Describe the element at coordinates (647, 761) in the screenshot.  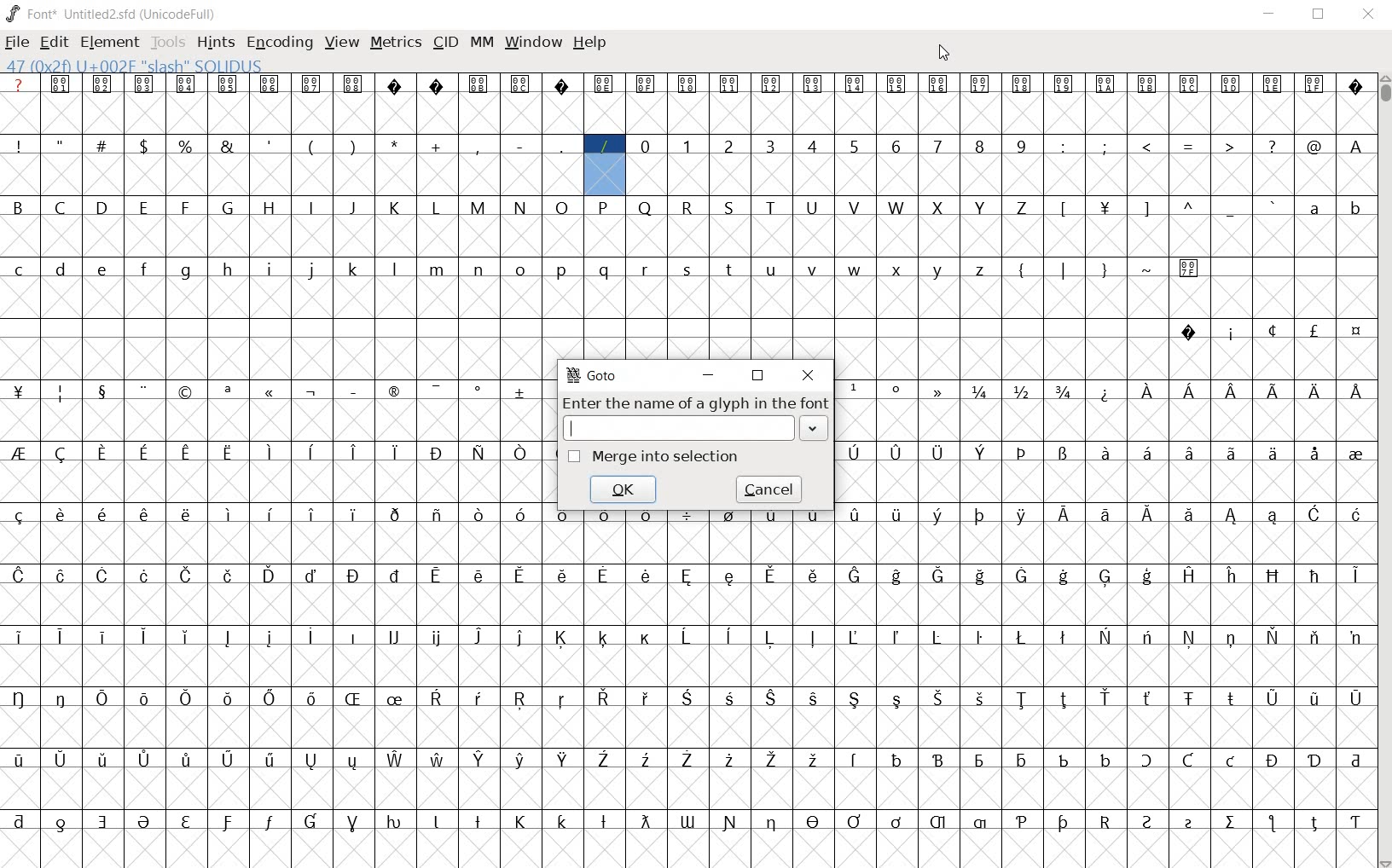
I see `glyph` at that location.